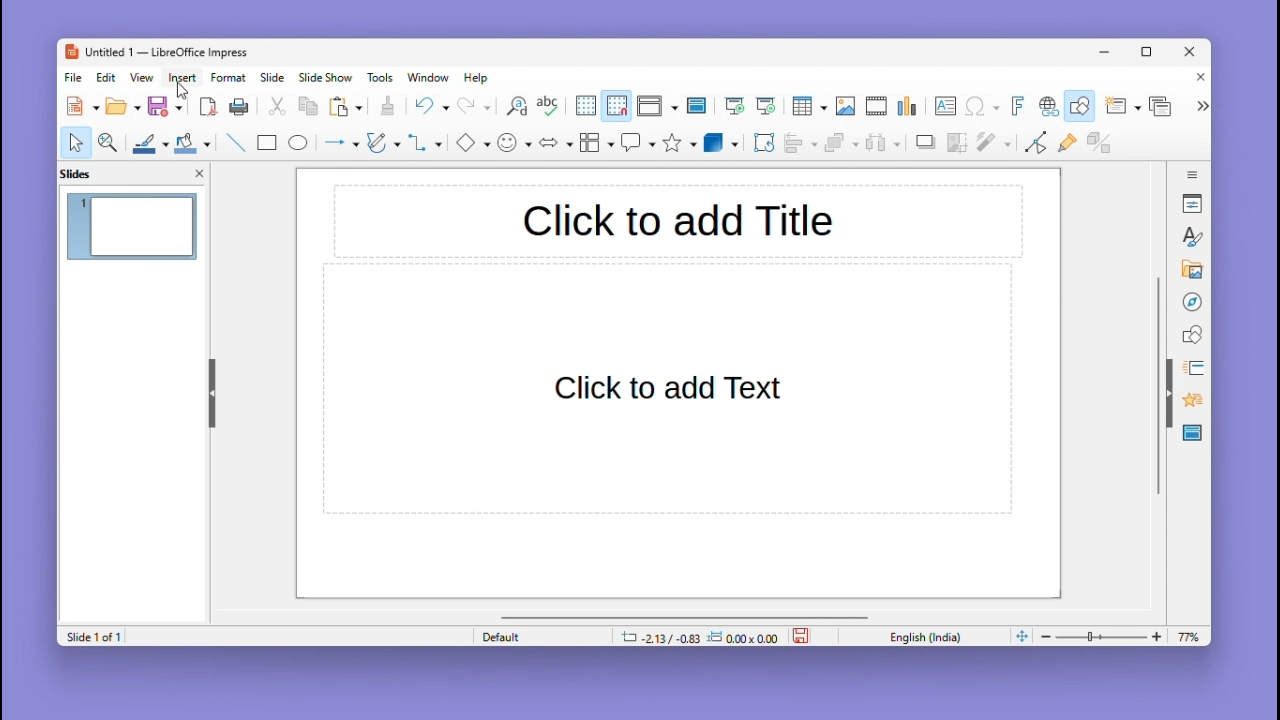 Image resolution: width=1280 pixels, height=720 pixels. What do you see at coordinates (265, 142) in the screenshot?
I see `Rectangle` at bounding box center [265, 142].